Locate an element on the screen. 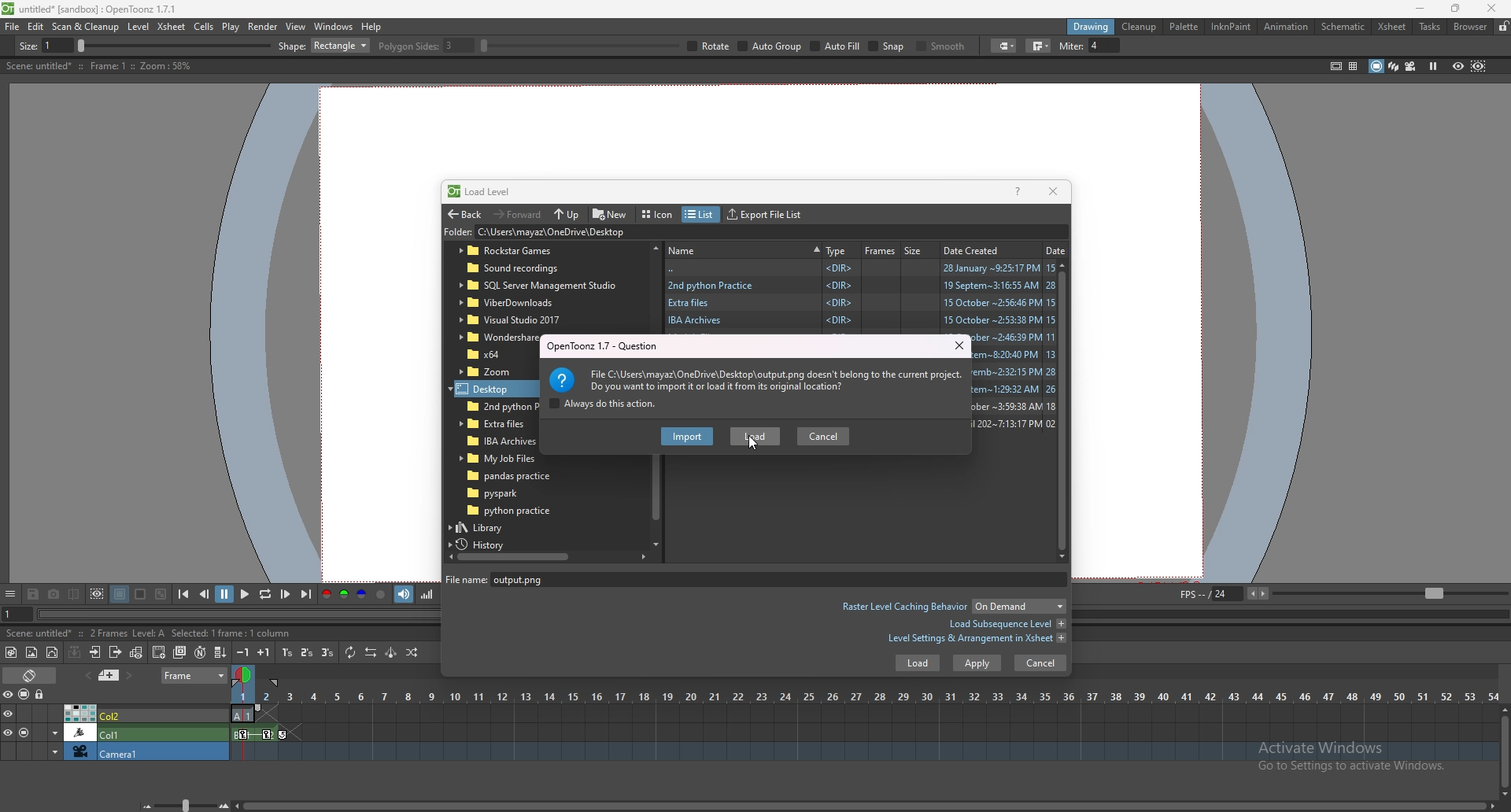  help is located at coordinates (1018, 190).